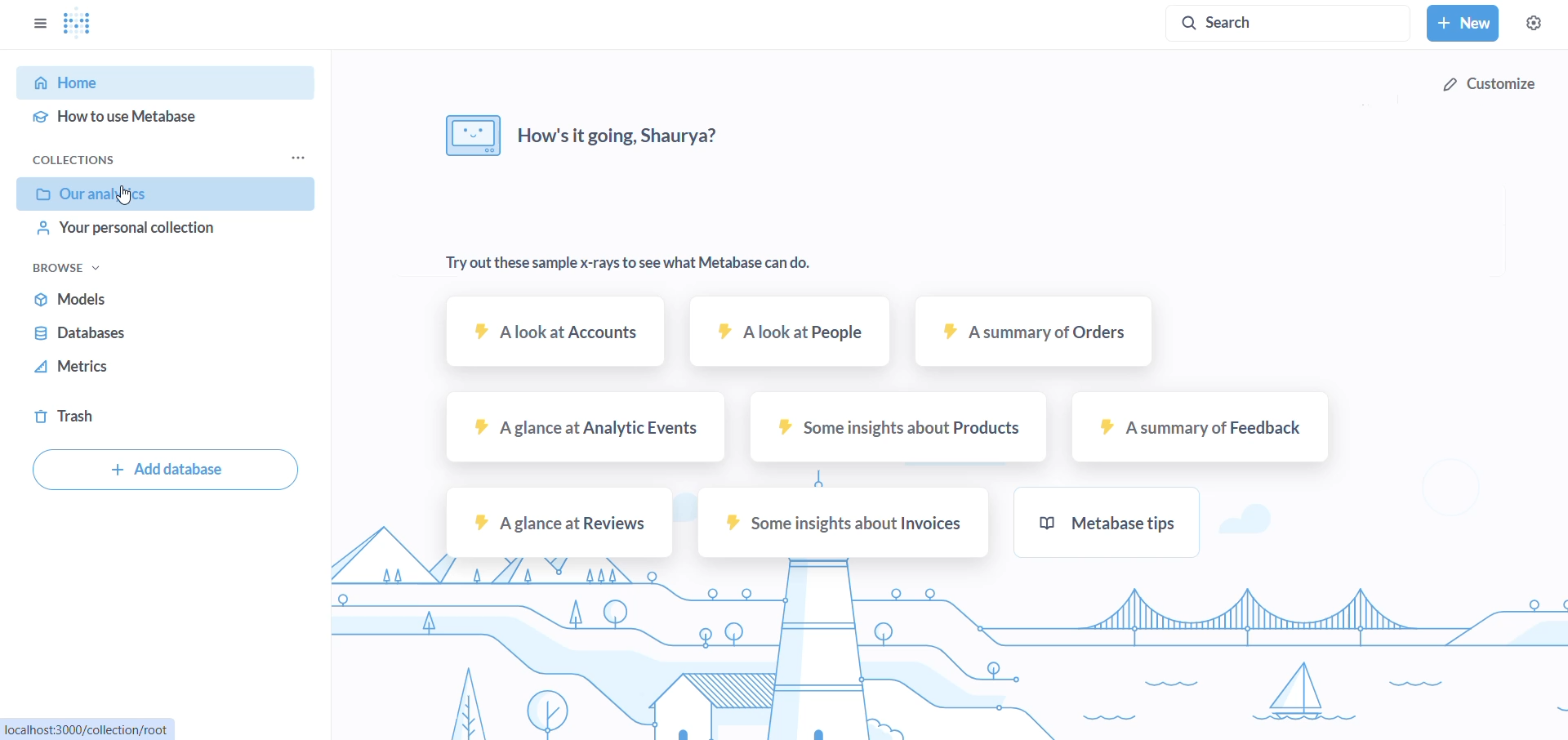  Describe the element at coordinates (1143, 522) in the screenshot. I see `metabase tips sample` at that location.